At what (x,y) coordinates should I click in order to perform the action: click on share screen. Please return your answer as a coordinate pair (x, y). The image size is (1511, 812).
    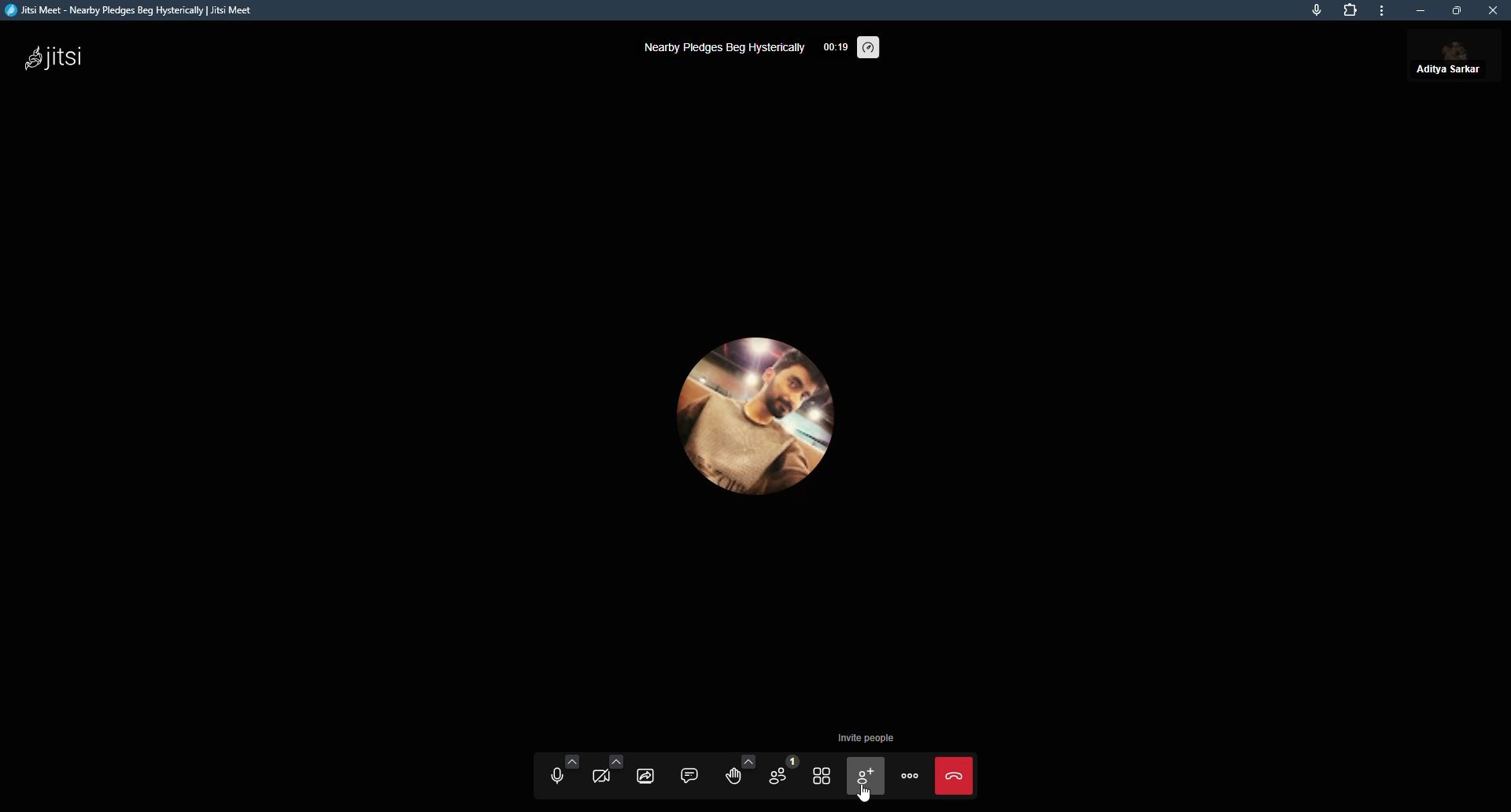
    Looking at the image, I should click on (644, 775).